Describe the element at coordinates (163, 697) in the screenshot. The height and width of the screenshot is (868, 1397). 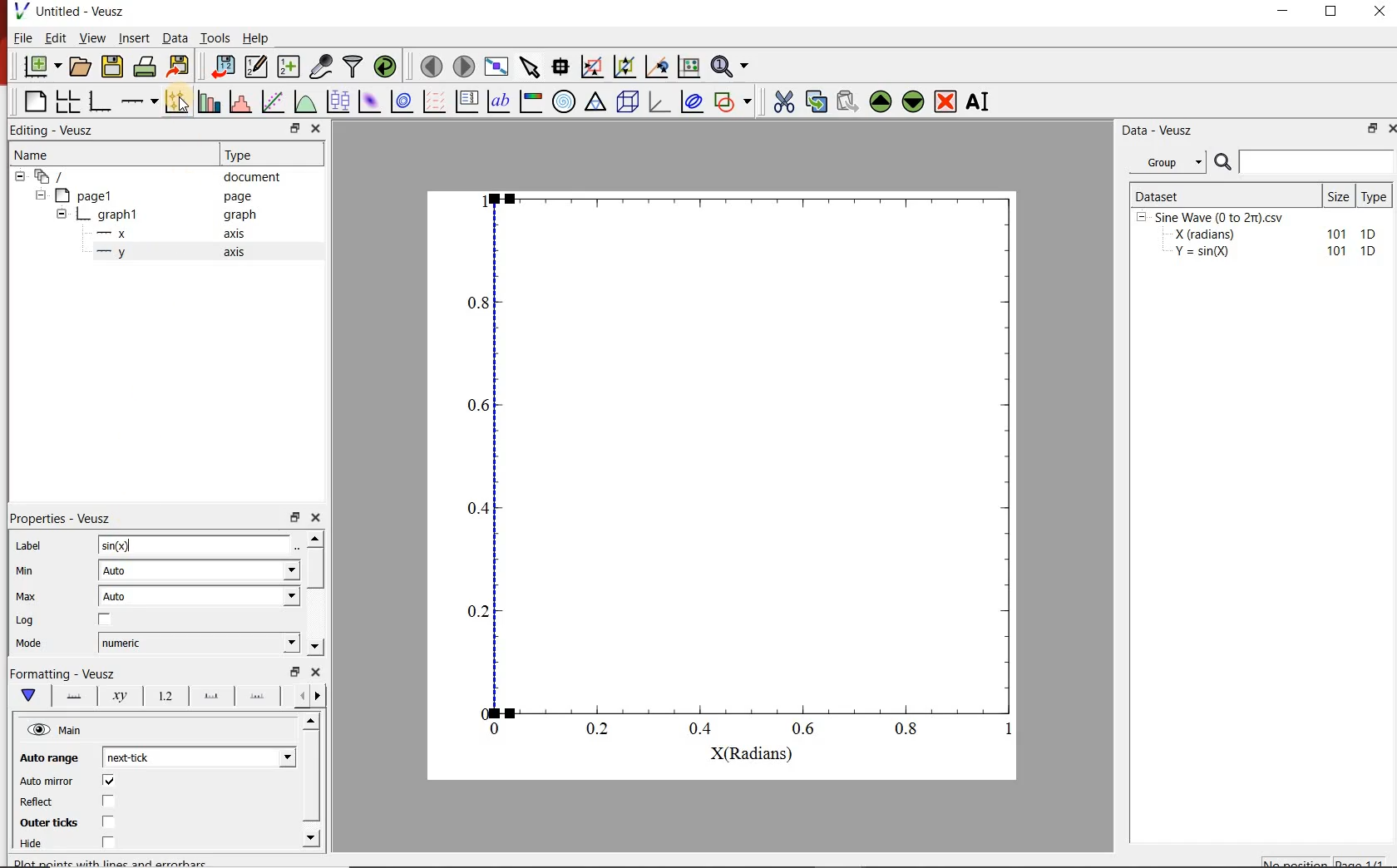
I see `1.2` at that location.